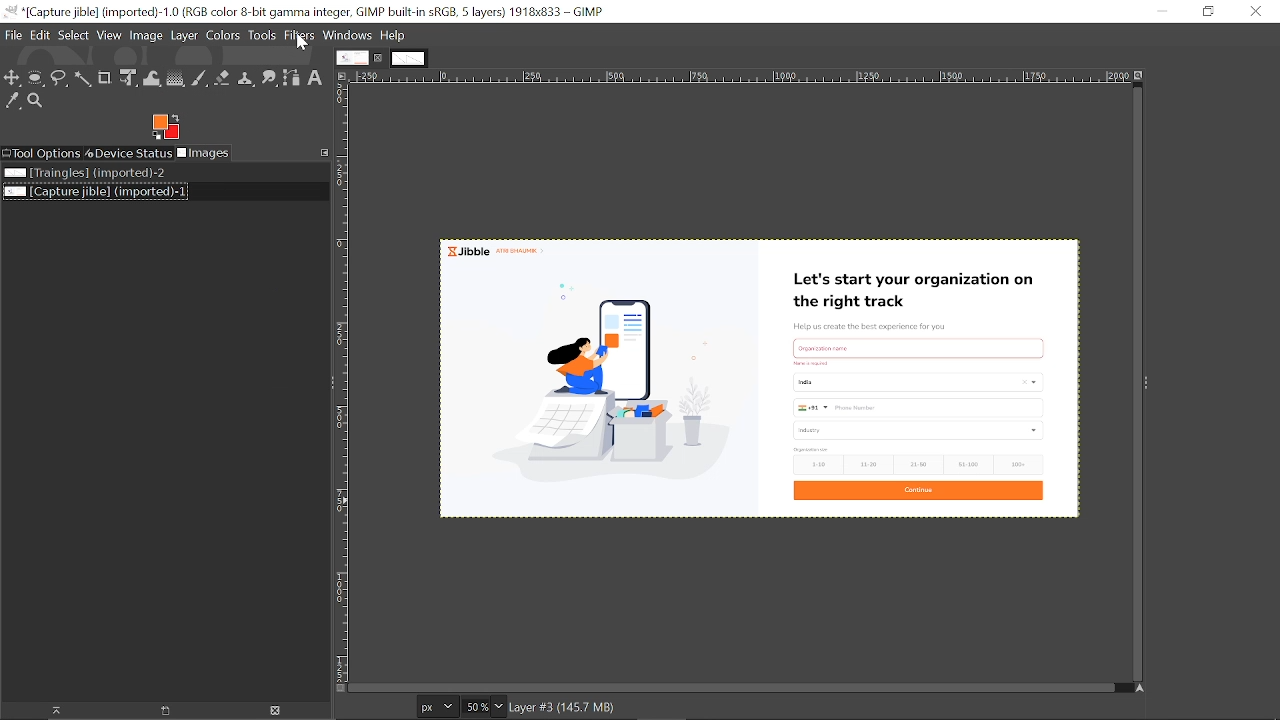 This screenshot has height=720, width=1280. Describe the element at coordinates (146, 37) in the screenshot. I see `Image` at that location.